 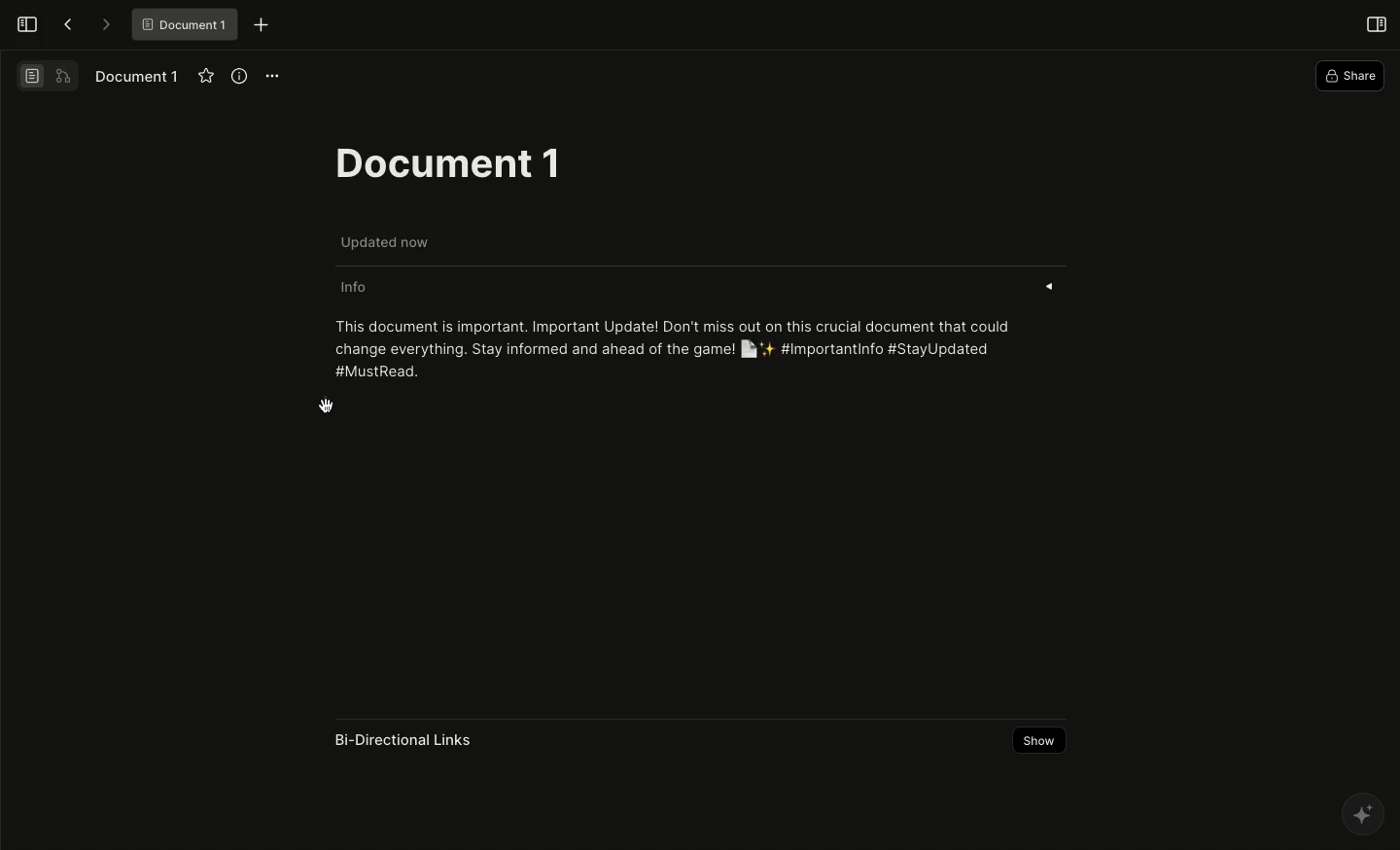 I want to click on Bi-directional links, so click(x=400, y=742).